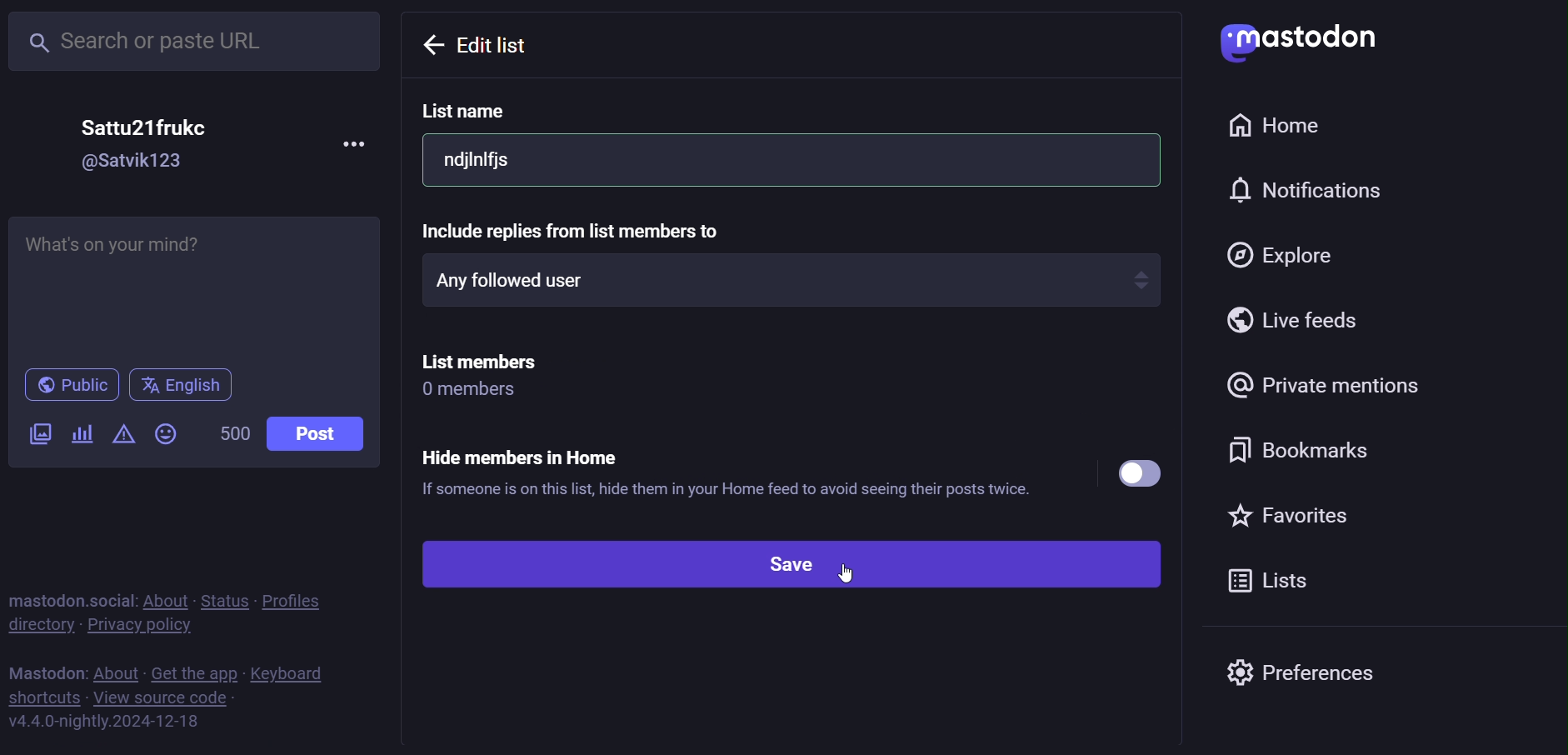 The width and height of the screenshot is (1568, 755). Describe the element at coordinates (105, 721) in the screenshot. I see `https://mastodon.social/lists#` at that location.